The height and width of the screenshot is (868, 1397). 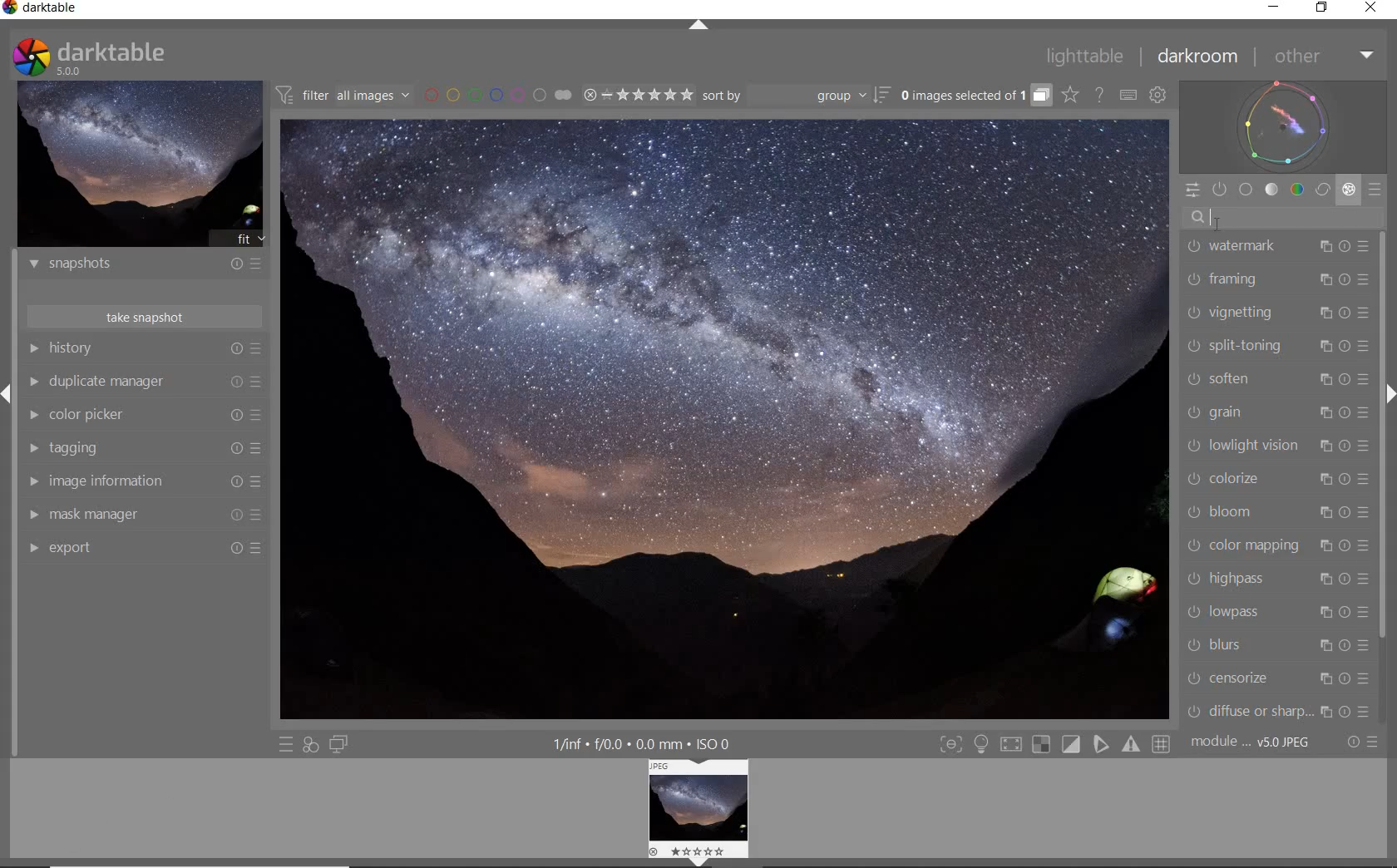 I want to click on QUICK ACCESS FOR APPLYING ANY OF YOUR STYLES, so click(x=309, y=744).